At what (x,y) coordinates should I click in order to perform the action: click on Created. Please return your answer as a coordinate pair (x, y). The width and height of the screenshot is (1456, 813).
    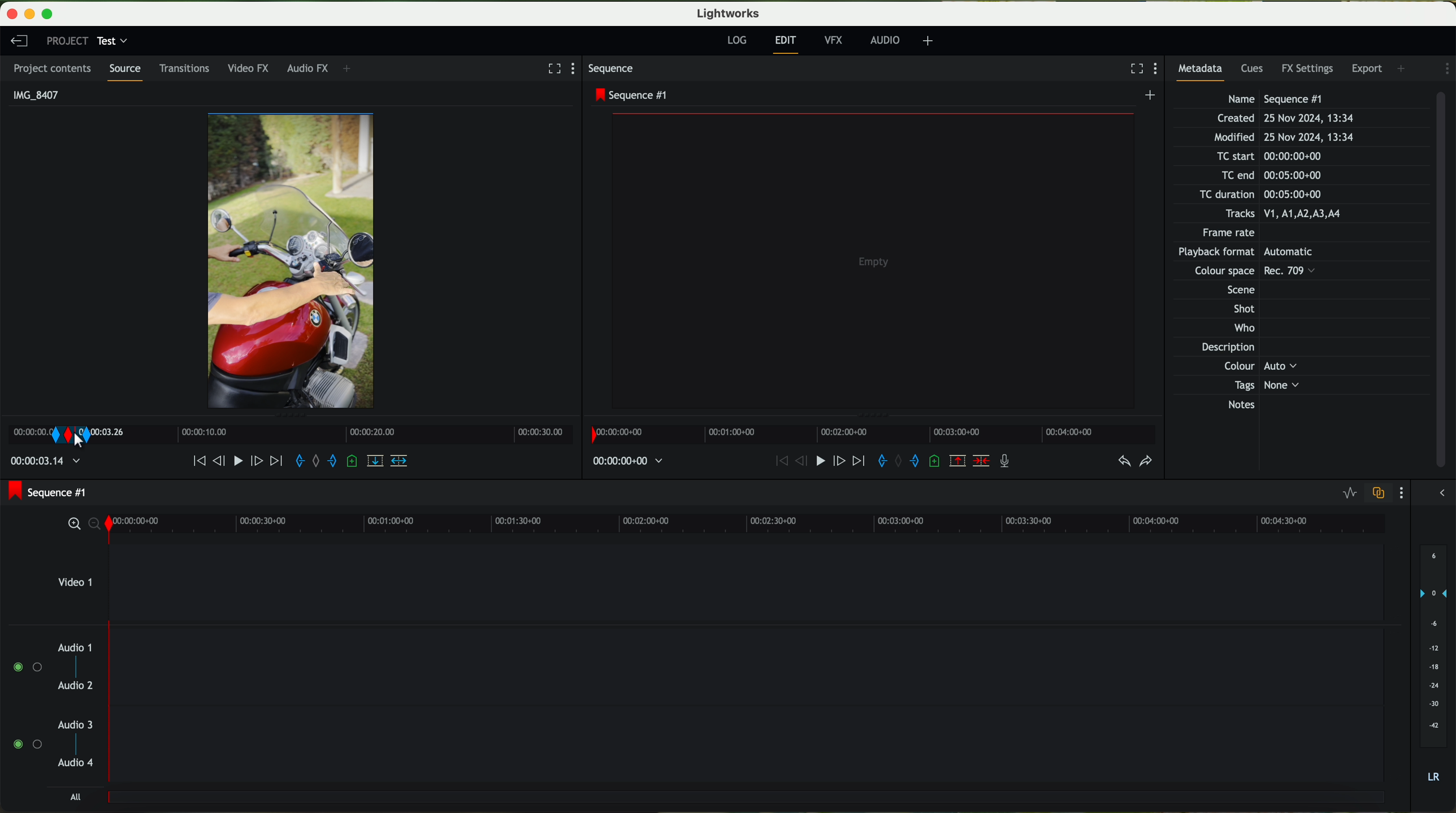
    Looking at the image, I should click on (1285, 119).